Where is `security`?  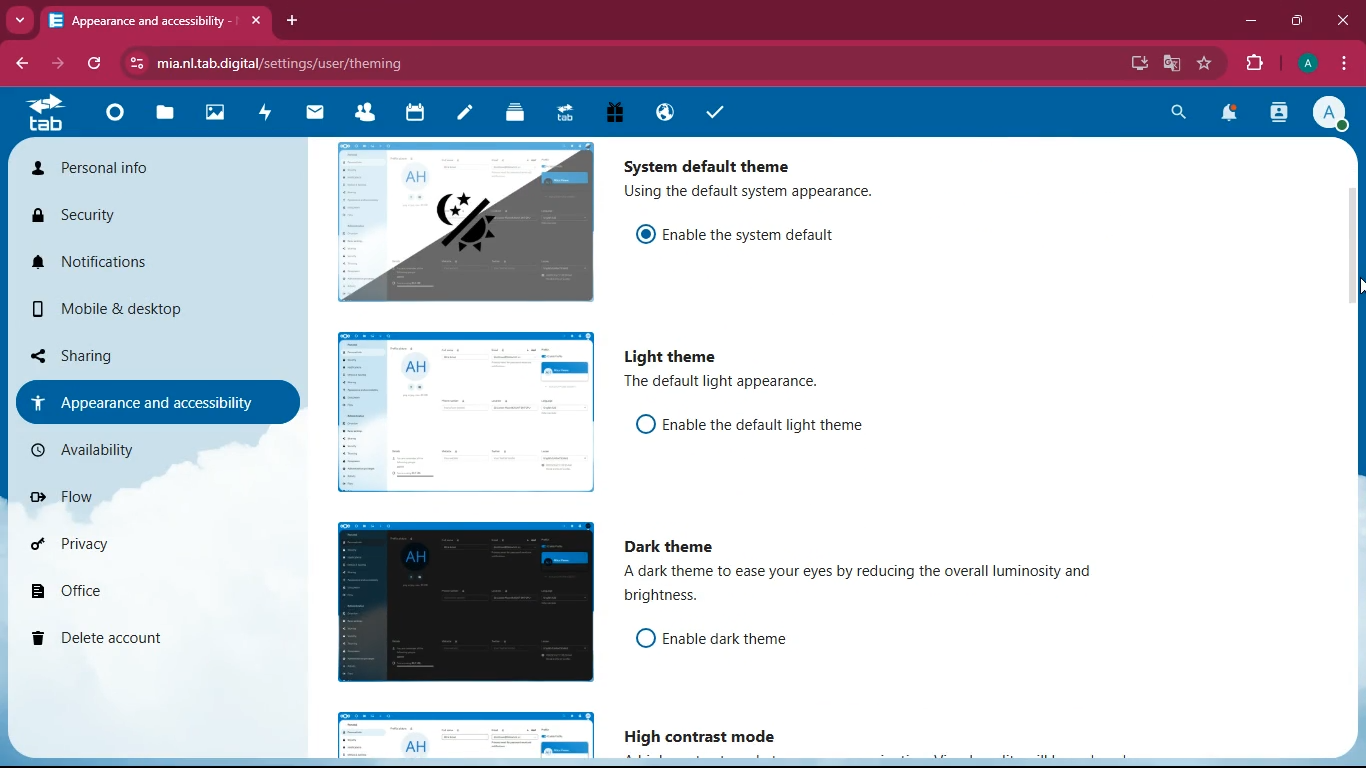 security is located at coordinates (109, 219).